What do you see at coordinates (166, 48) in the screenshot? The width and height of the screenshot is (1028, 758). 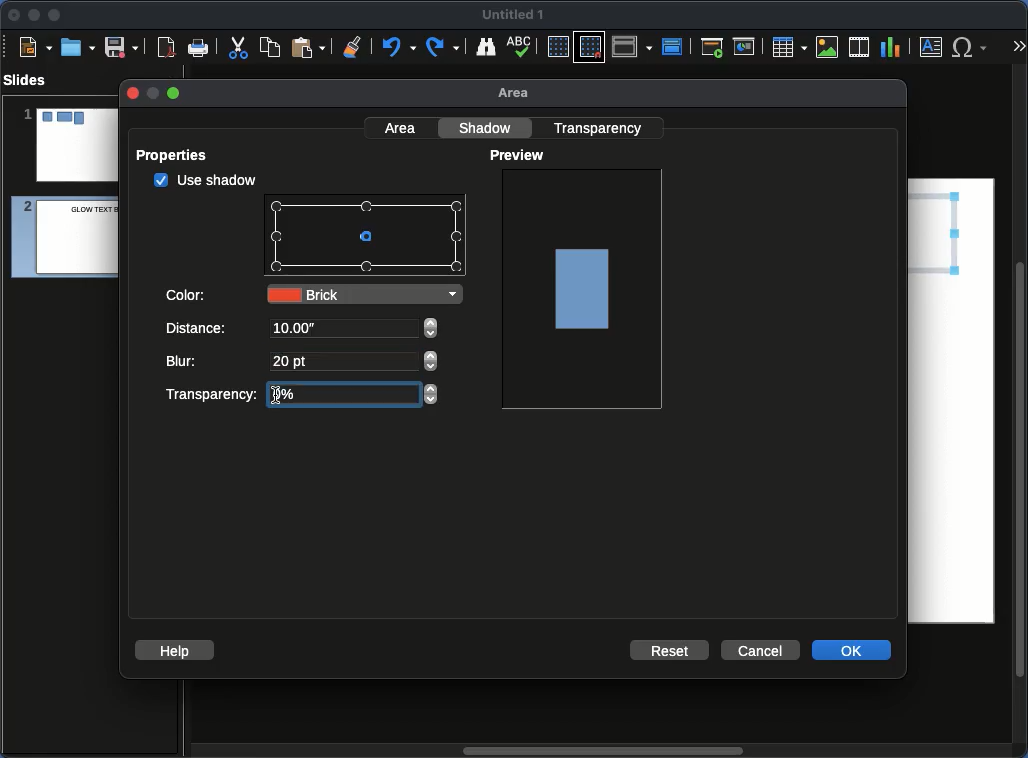 I see `Export as PDF` at bounding box center [166, 48].